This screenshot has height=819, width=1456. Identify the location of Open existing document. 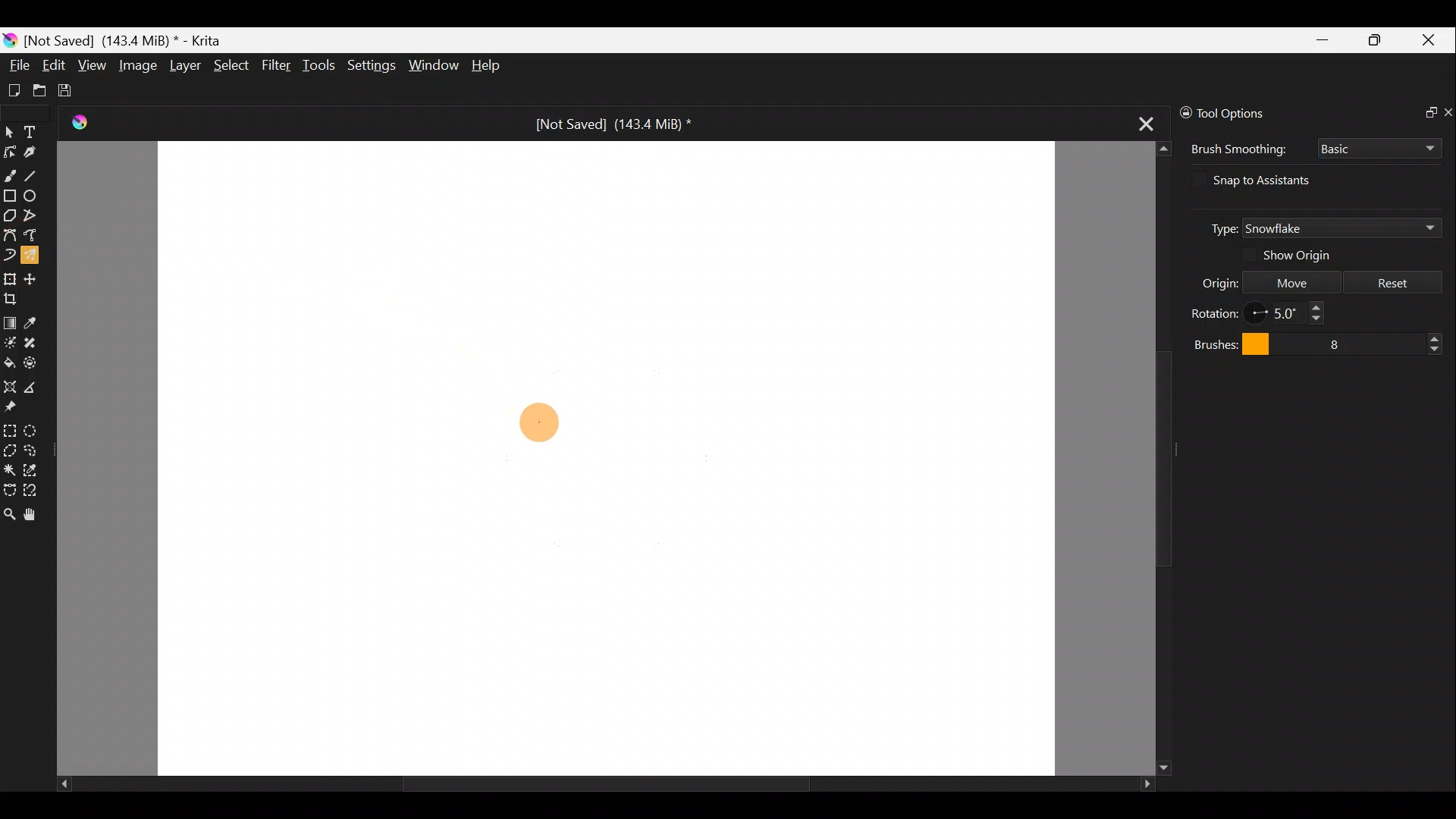
(40, 89).